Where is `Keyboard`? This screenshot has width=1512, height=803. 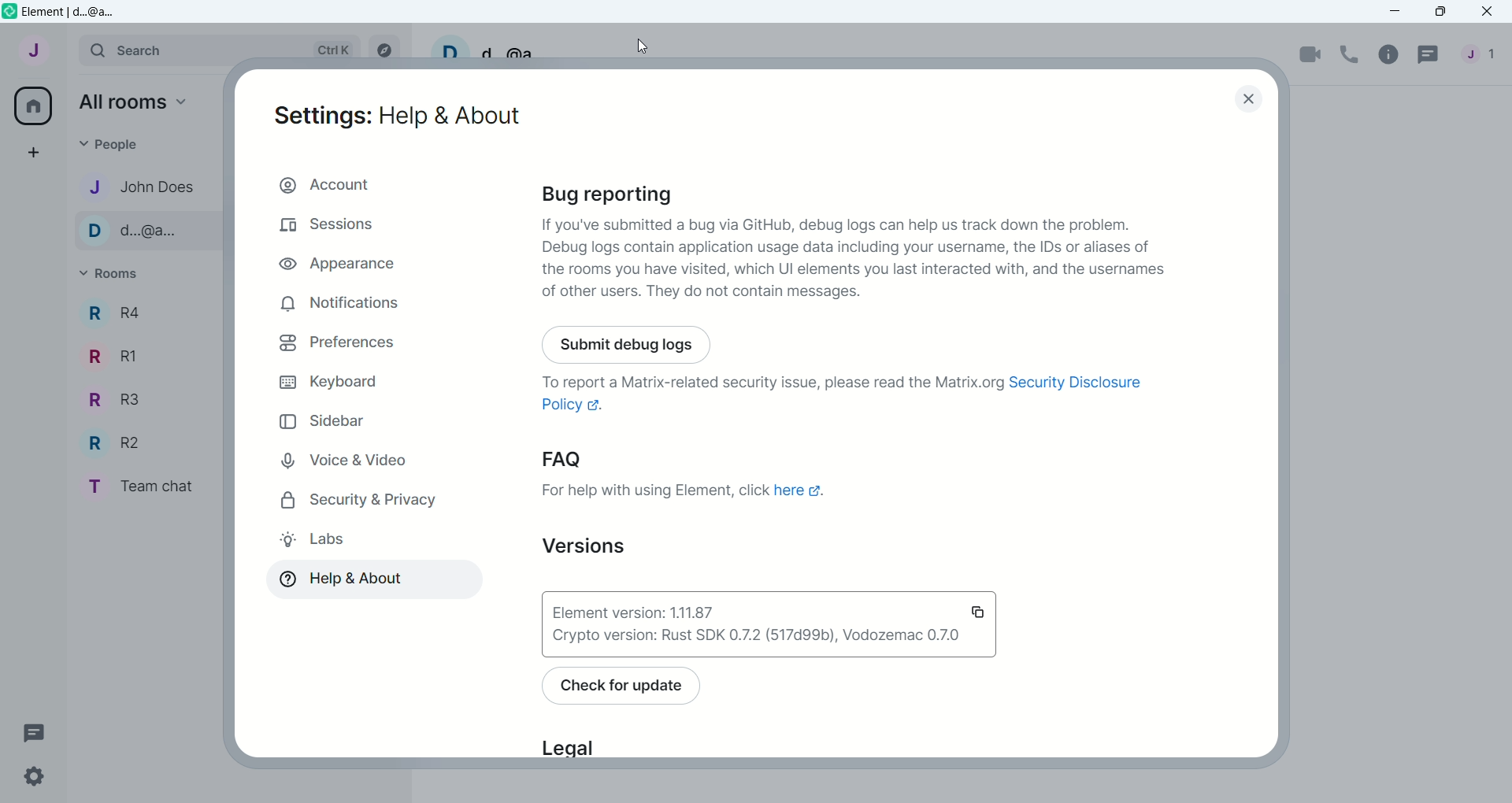
Keyboard is located at coordinates (328, 383).